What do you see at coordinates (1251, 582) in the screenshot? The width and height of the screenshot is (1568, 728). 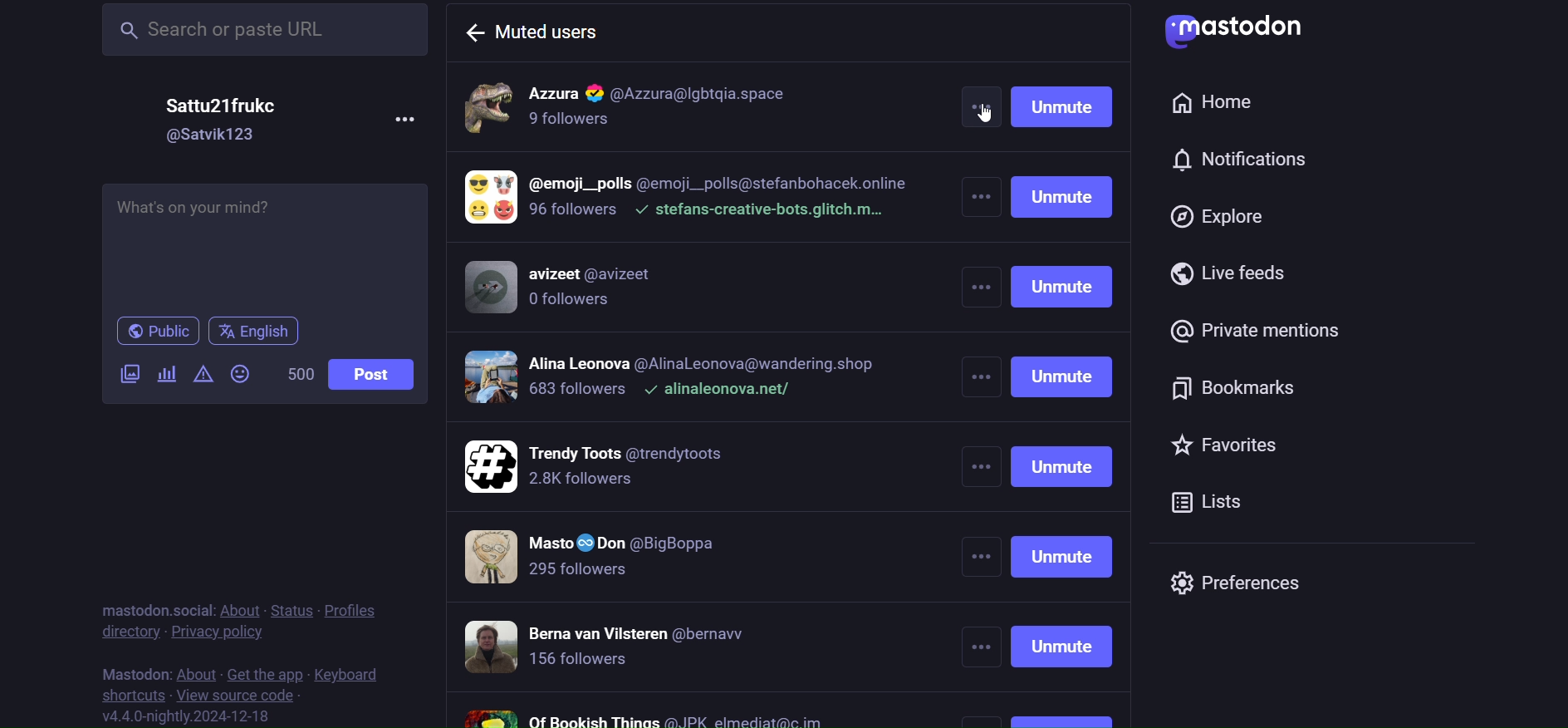 I see `preferences` at bounding box center [1251, 582].